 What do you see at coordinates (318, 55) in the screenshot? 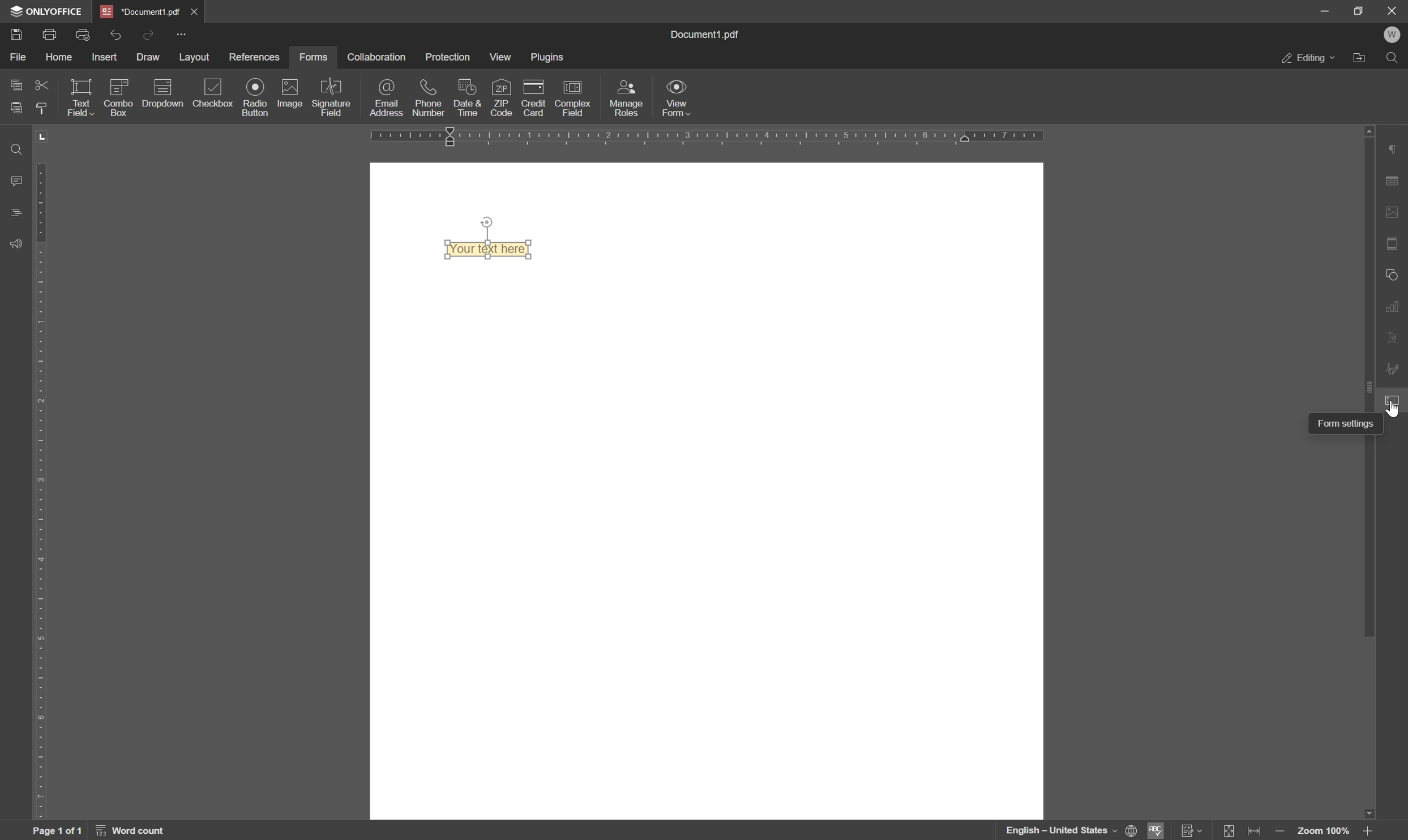
I see `forms` at bounding box center [318, 55].